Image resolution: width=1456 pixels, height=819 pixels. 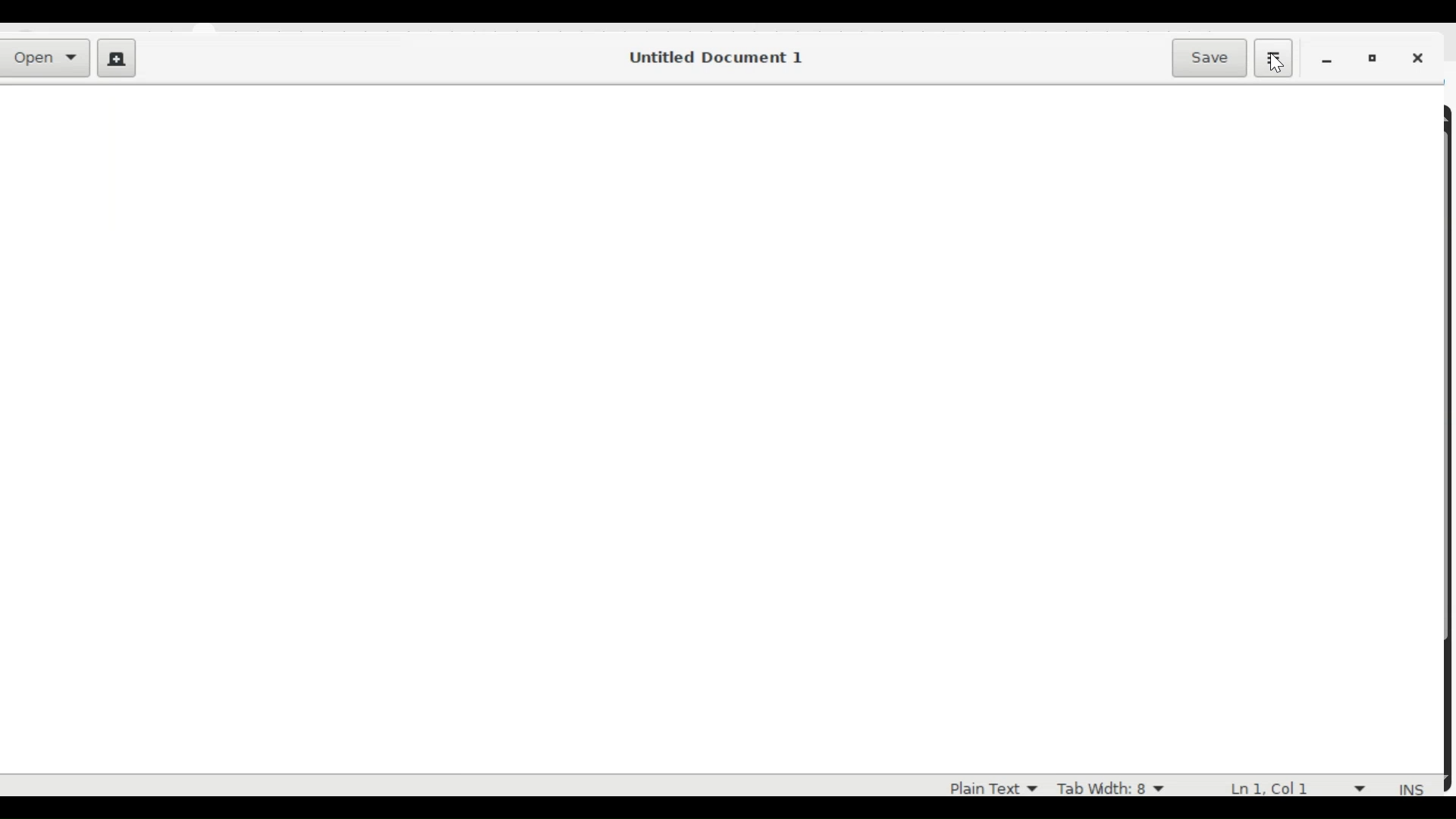 I want to click on Create a new Document, so click(x=116, y=60).